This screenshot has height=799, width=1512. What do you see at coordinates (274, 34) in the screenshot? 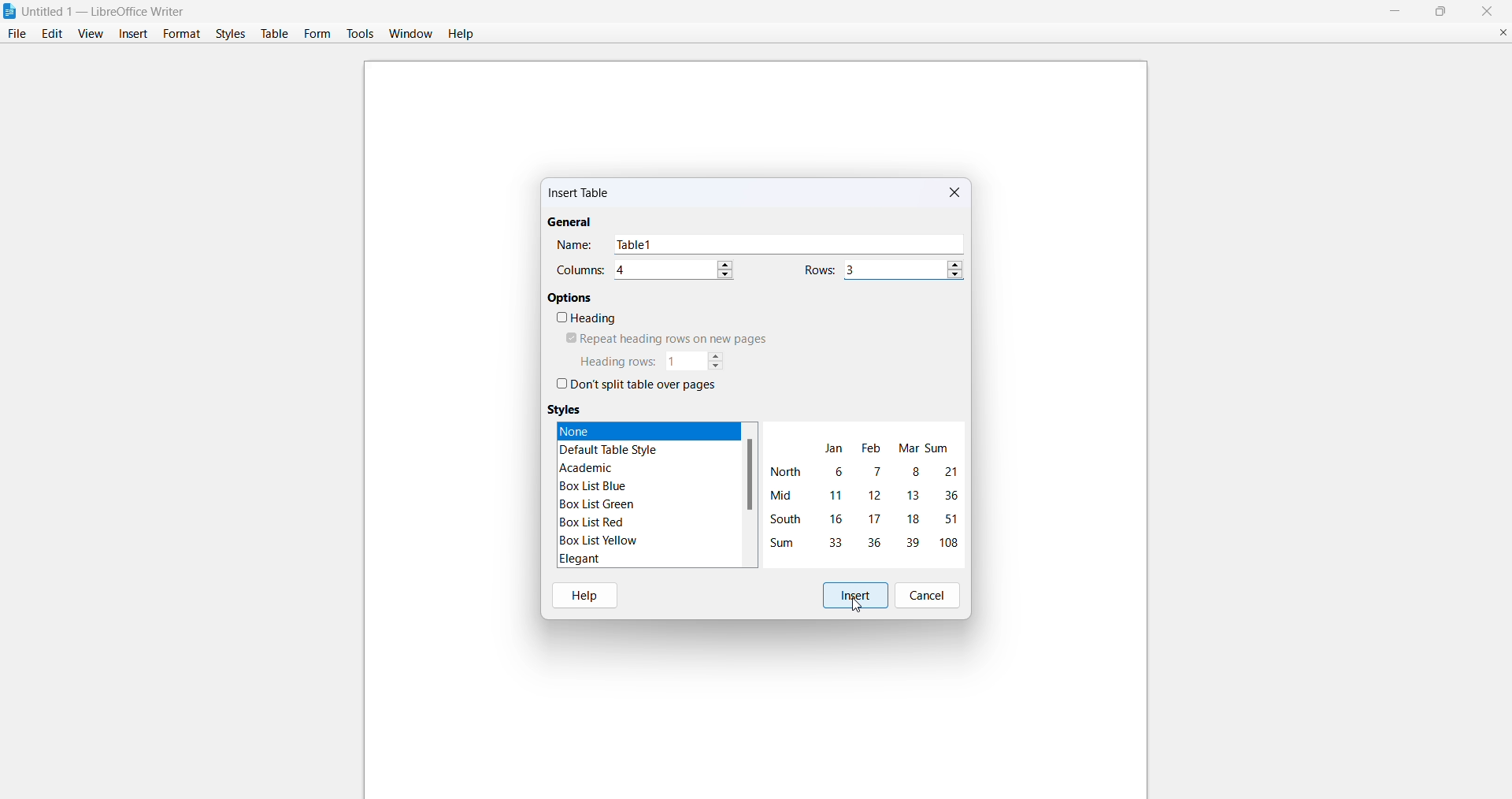
I see `table` at bounding box center [274, 34].